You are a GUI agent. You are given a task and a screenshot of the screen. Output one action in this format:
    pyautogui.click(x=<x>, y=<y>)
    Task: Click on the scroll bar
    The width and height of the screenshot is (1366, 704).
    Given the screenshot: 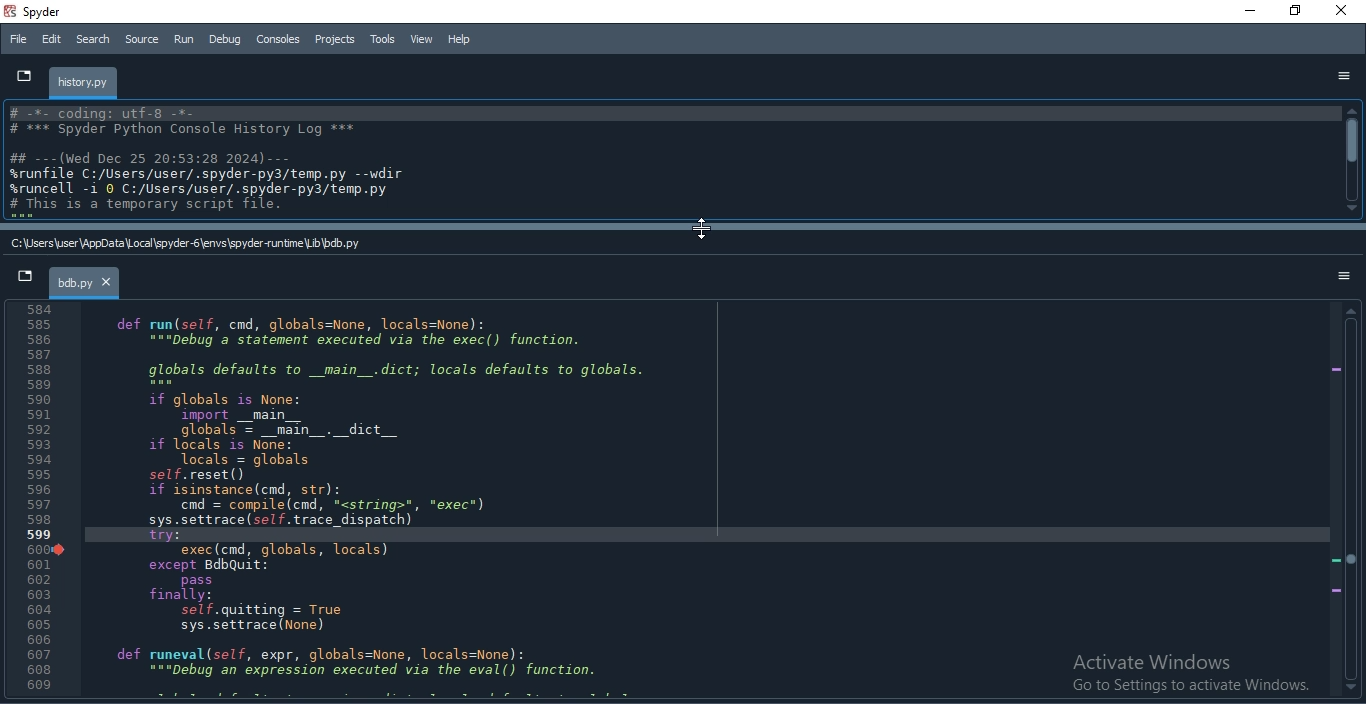 What is the action you would take?
    pyautogui.click(x=680, y=228)
    